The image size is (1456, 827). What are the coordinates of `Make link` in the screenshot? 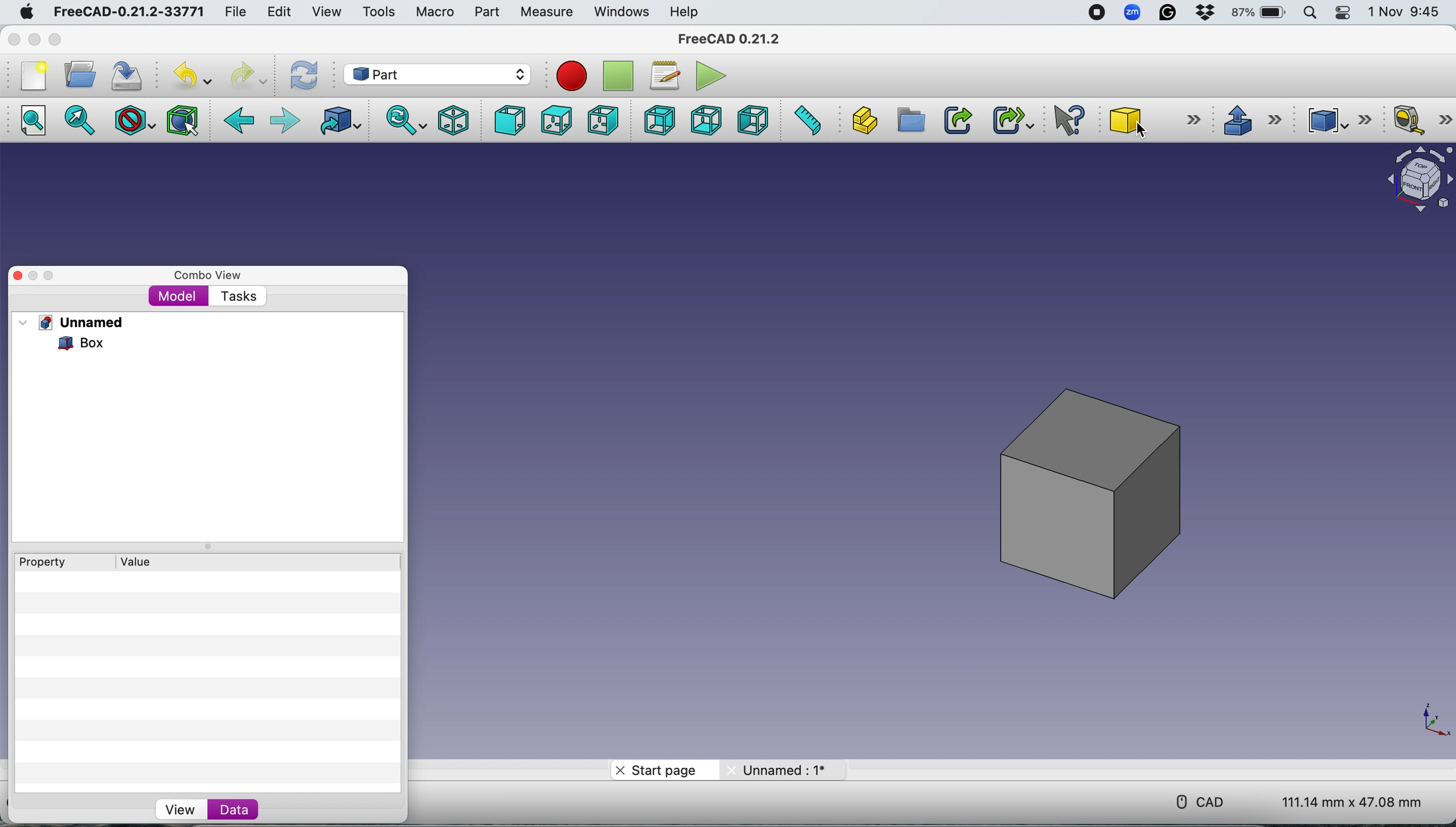 It's located at (958, 120).